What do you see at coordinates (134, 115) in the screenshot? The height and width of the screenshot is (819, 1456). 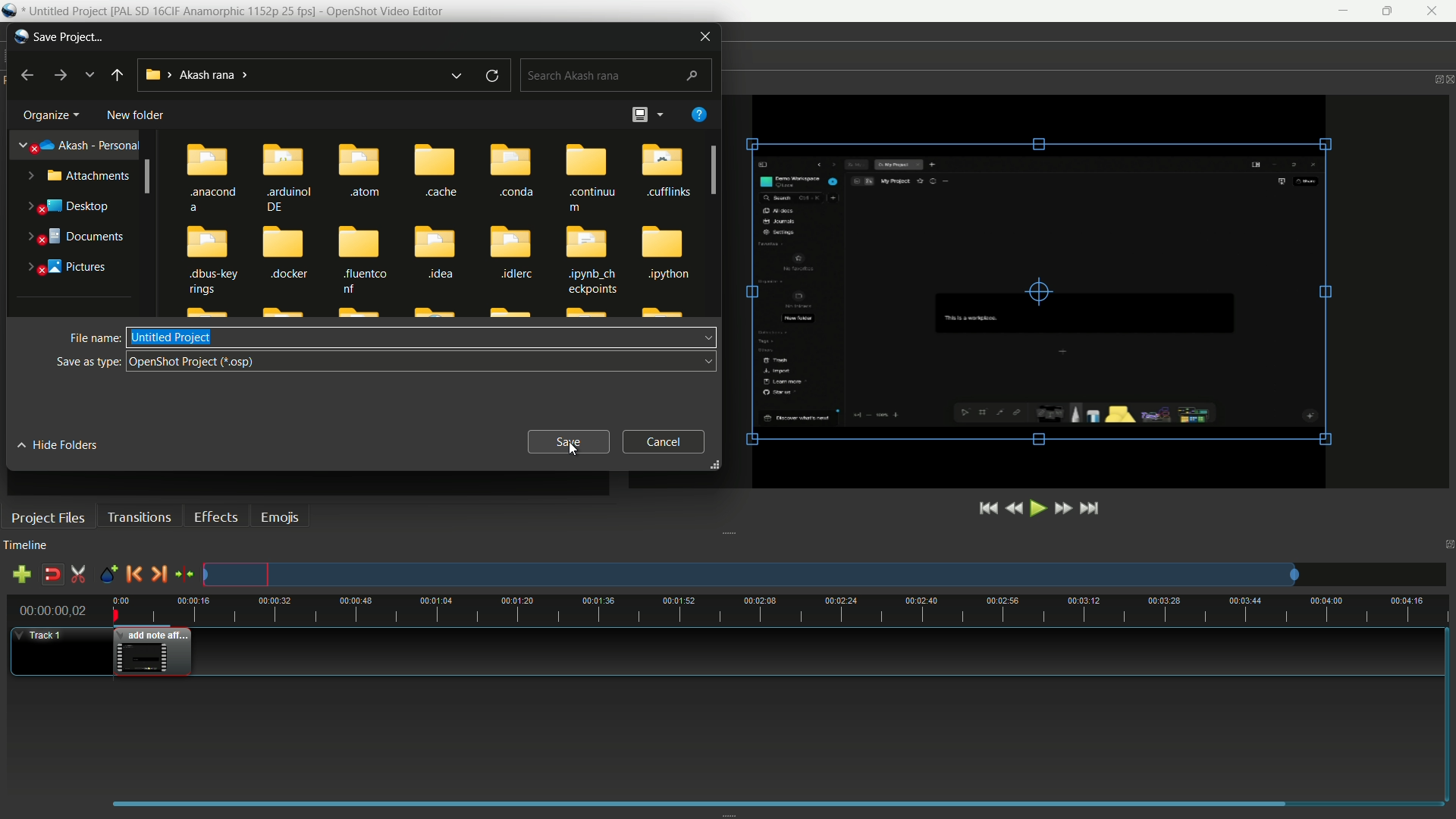 I see `new folder` at bounding box center [134, 115].